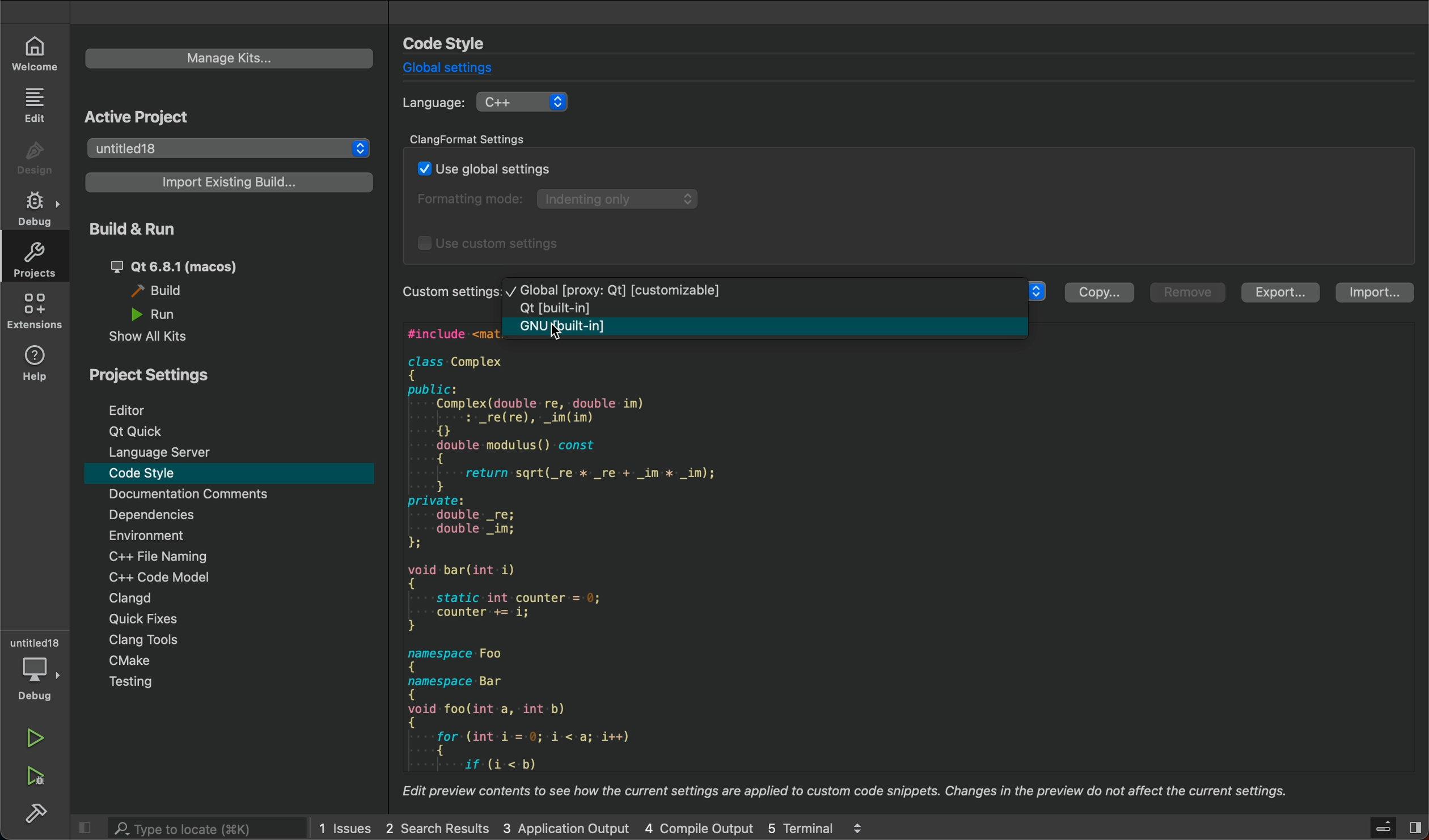 The height and width of the screenshot is (840, 1429). I want to click on export, so click(1279, 292).